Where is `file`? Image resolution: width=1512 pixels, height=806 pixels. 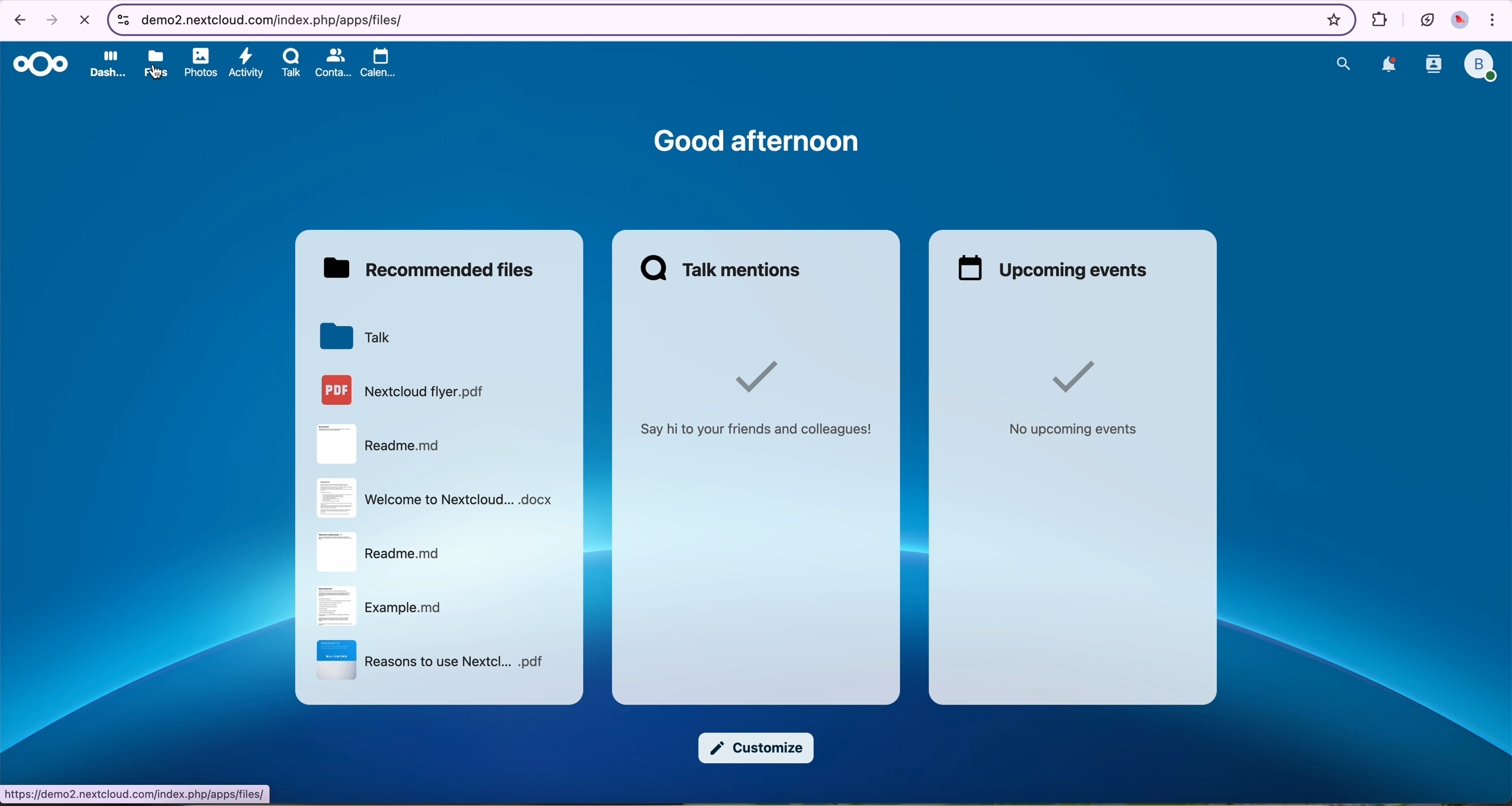
file is located at coordinates (384, 605).